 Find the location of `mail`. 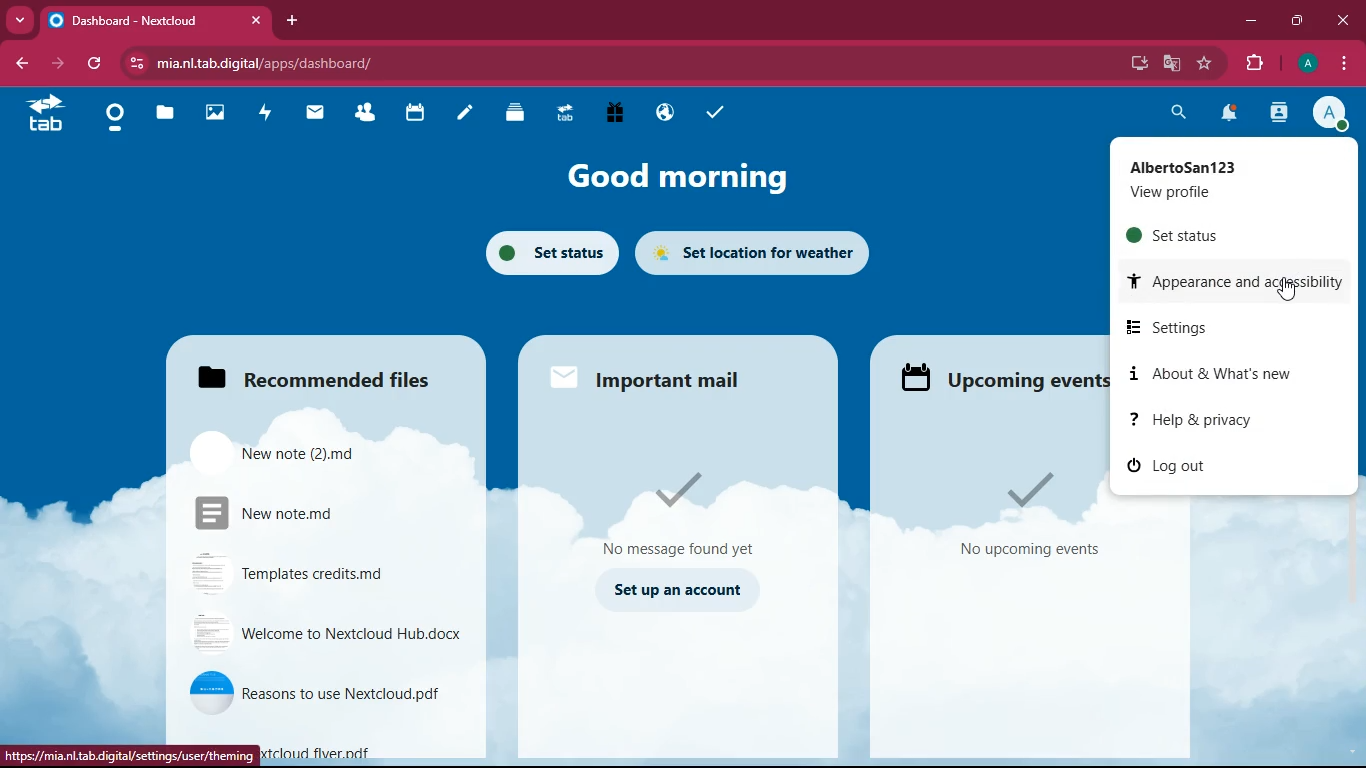

mail is located at coordinates (657, 378).